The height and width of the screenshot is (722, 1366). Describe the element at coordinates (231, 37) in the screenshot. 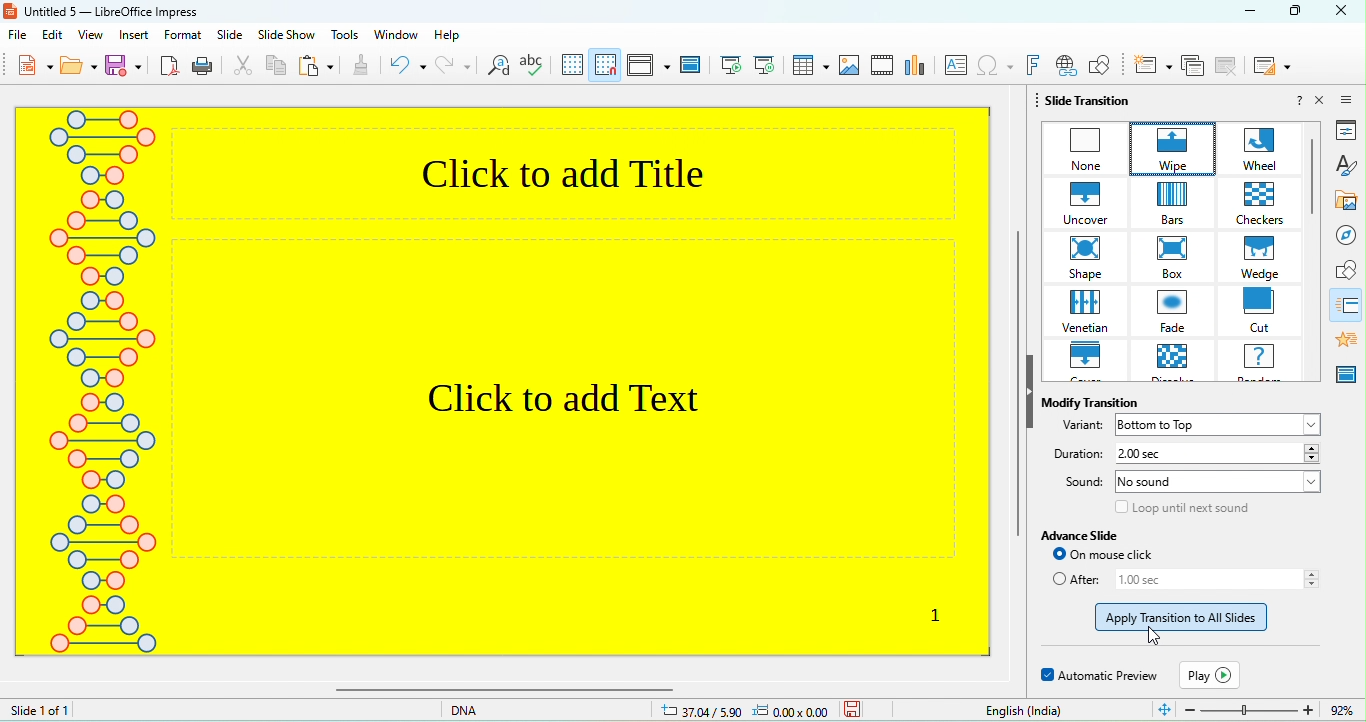

I see `slide` at that location.